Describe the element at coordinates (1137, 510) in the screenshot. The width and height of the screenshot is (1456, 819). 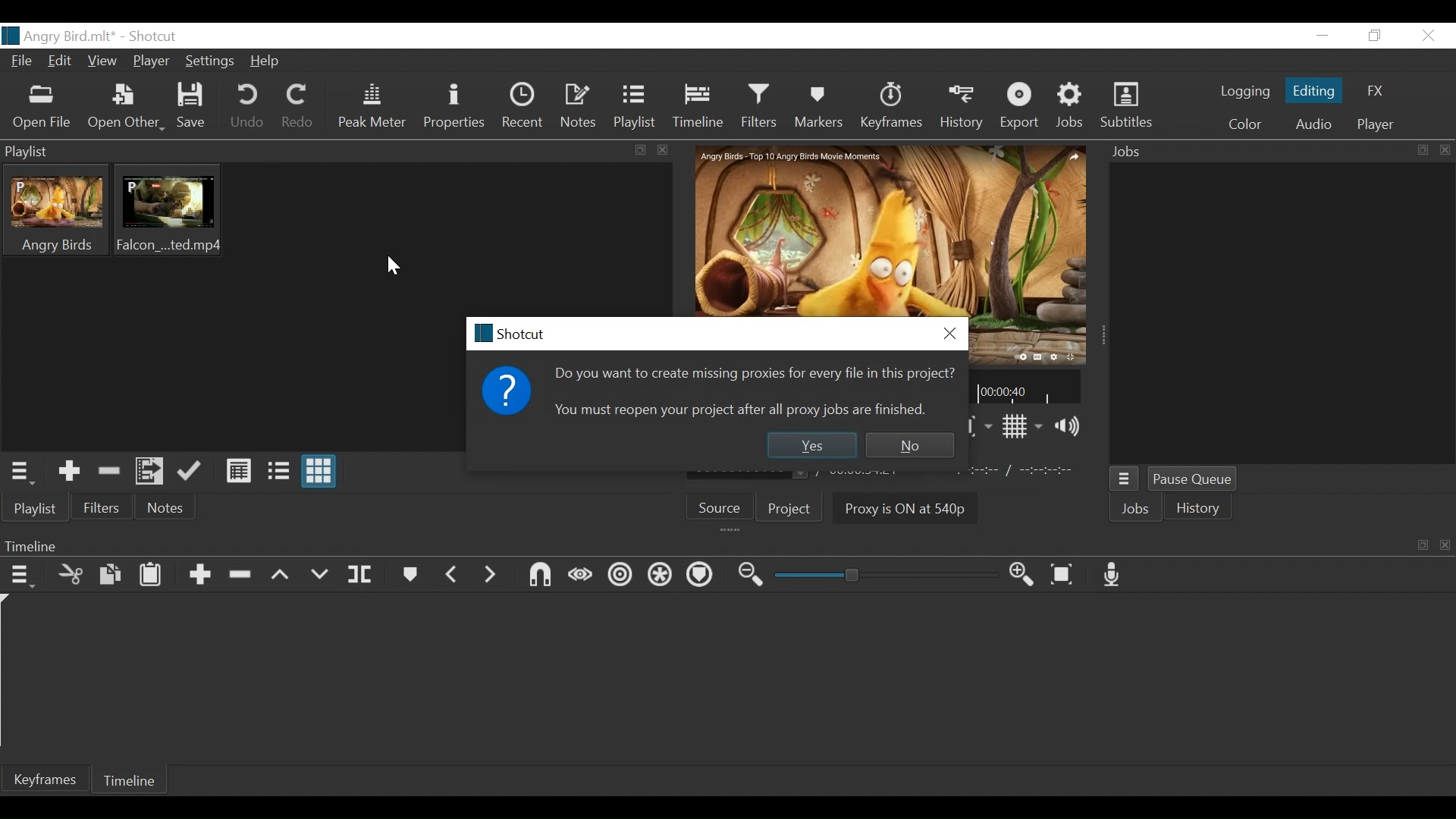
I see `Jobs` at that location.